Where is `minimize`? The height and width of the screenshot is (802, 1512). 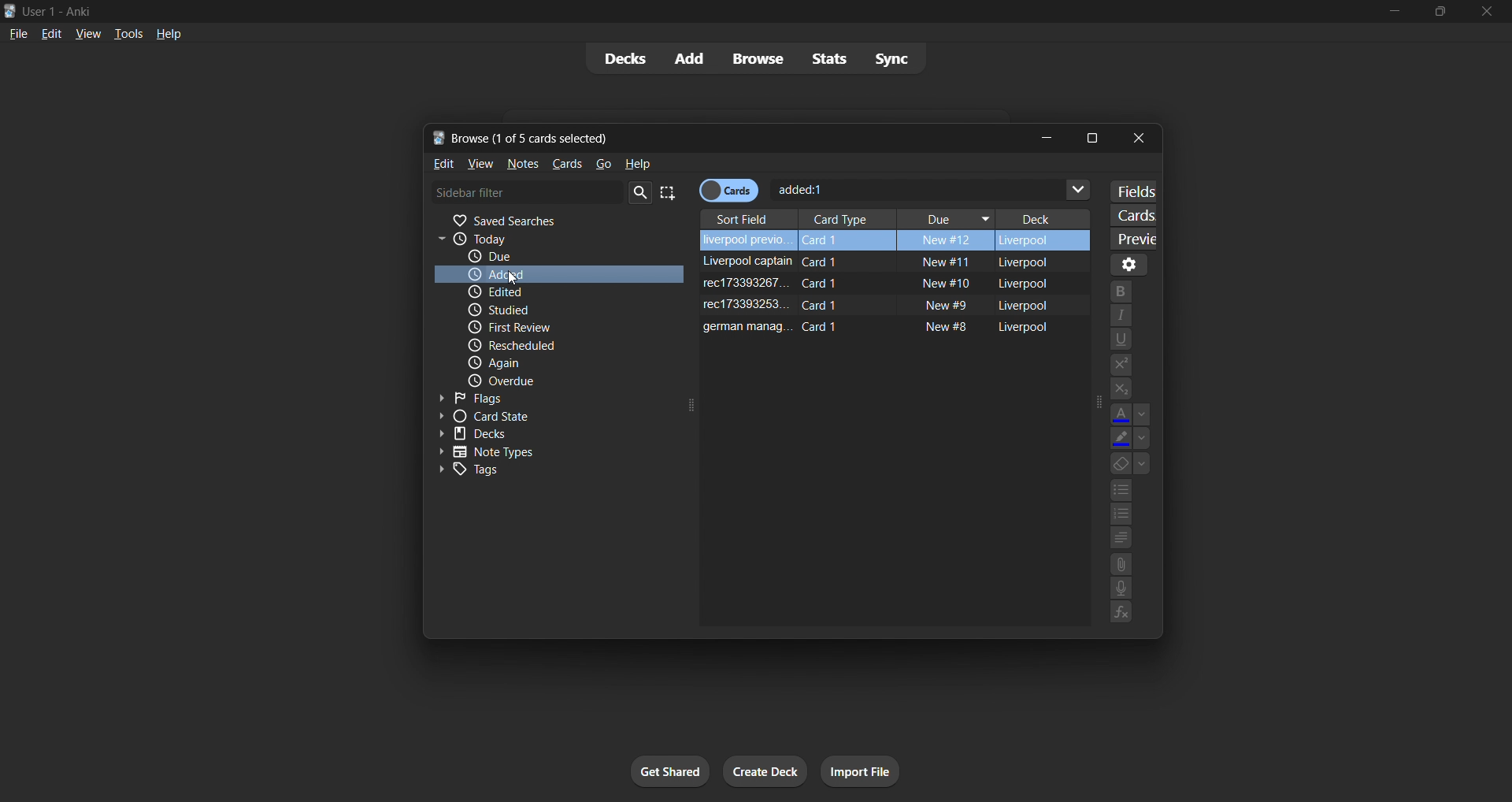 minimize is located at coordinates (1385, 12).